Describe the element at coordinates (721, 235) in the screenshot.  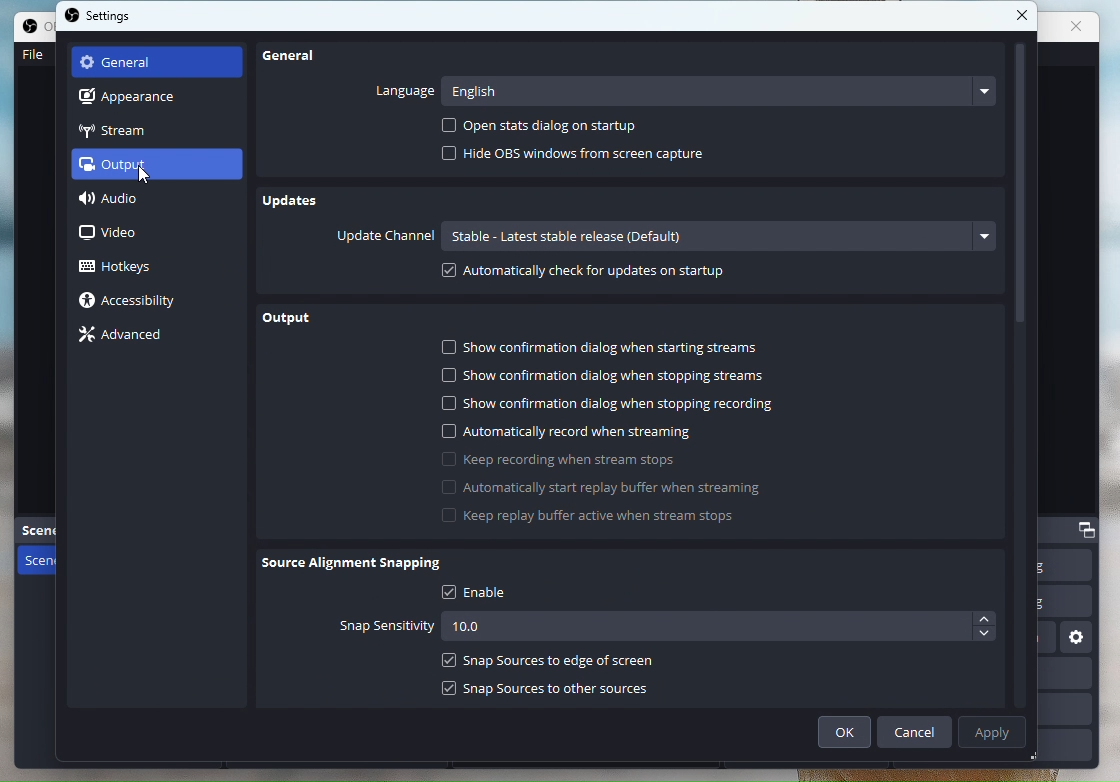
I see `Options bar` at that location.